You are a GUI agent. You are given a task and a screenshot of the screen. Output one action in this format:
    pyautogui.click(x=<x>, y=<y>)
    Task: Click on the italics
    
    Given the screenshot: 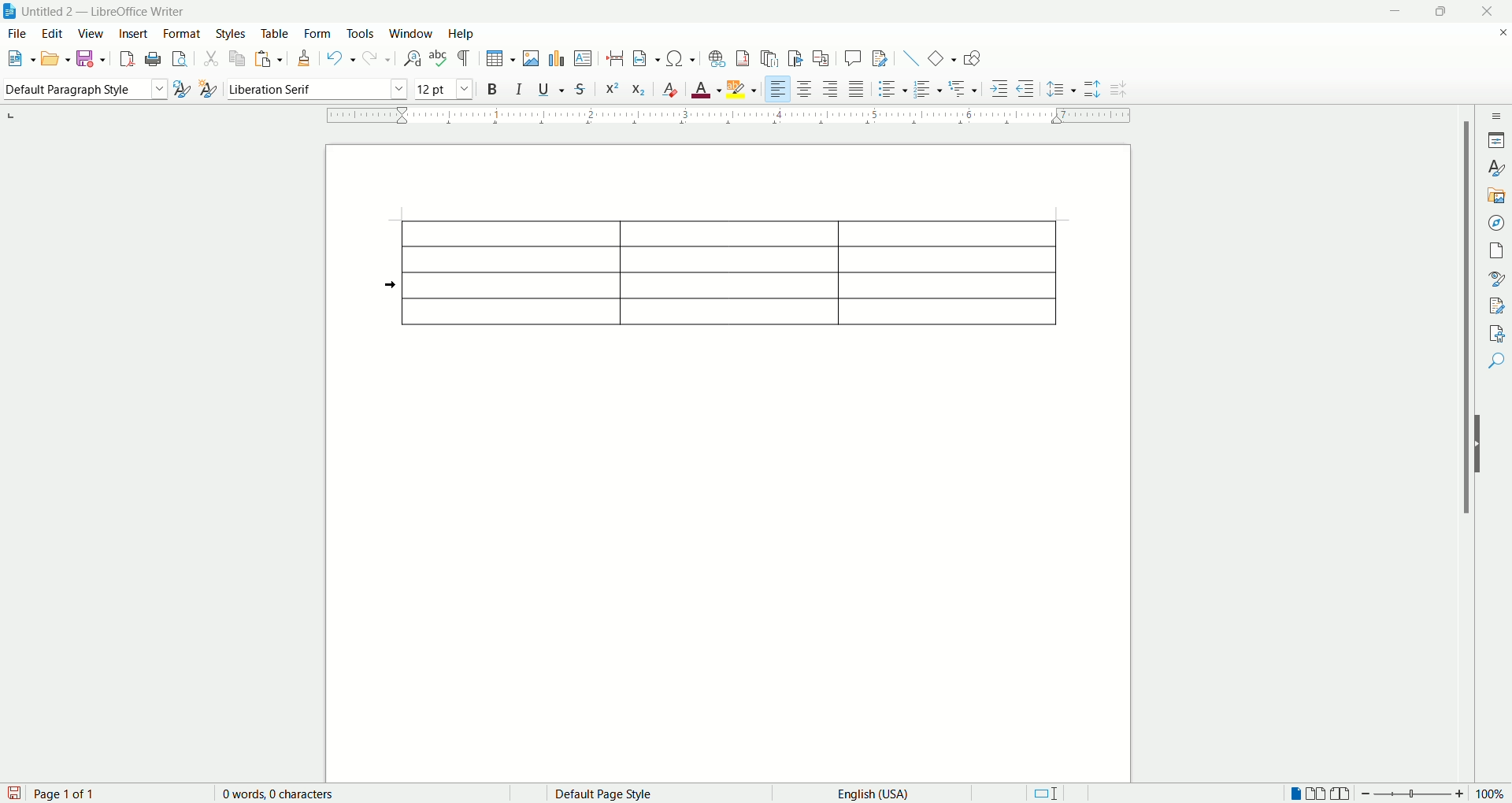 What is the action you would take?
    pyautogui.click(x=517, y=89)
    